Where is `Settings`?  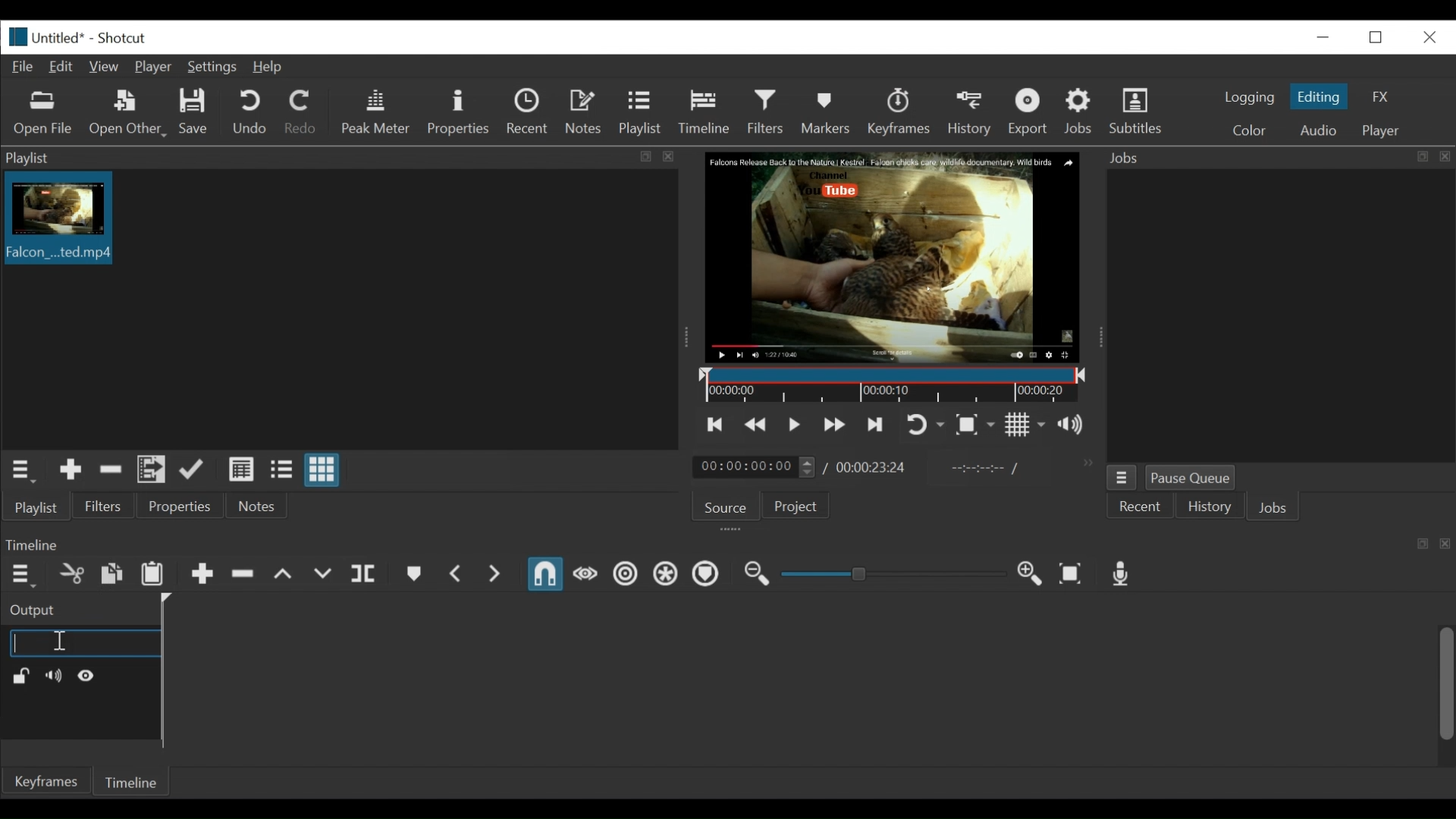
Settings is located at coordinates (212, 66).